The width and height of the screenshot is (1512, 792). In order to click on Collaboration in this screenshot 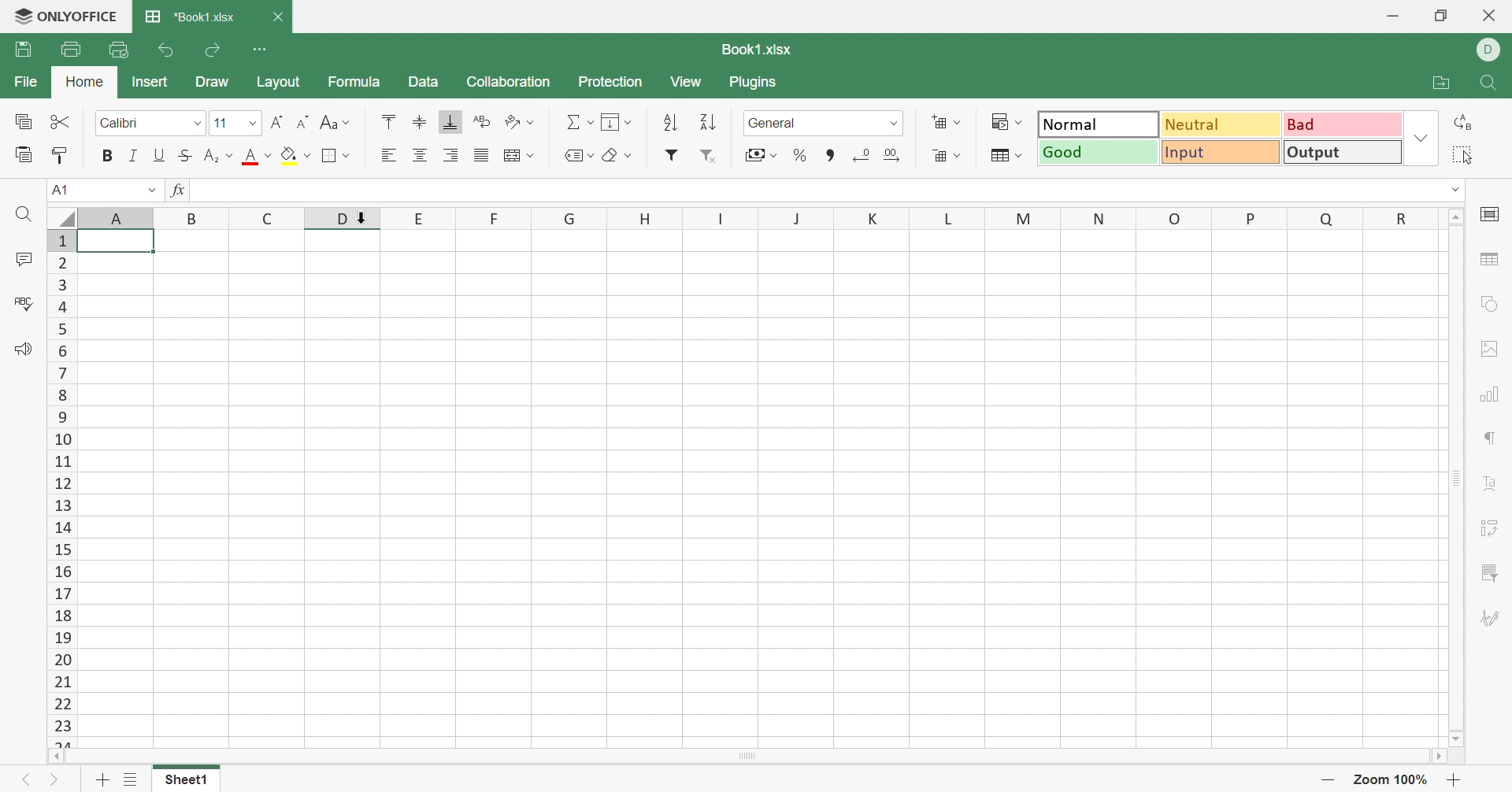, I will do `click(509, 82)`.